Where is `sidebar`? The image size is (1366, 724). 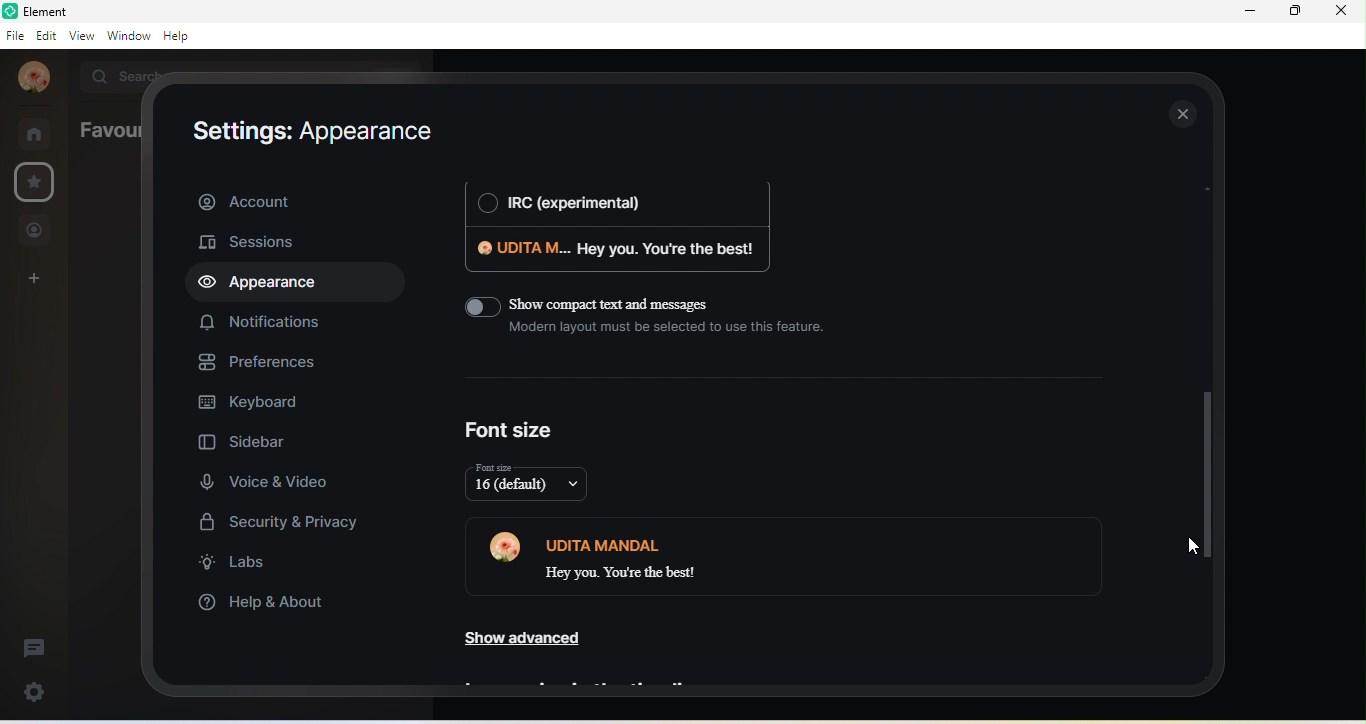
sidebar is located at coordinates (264, 439).